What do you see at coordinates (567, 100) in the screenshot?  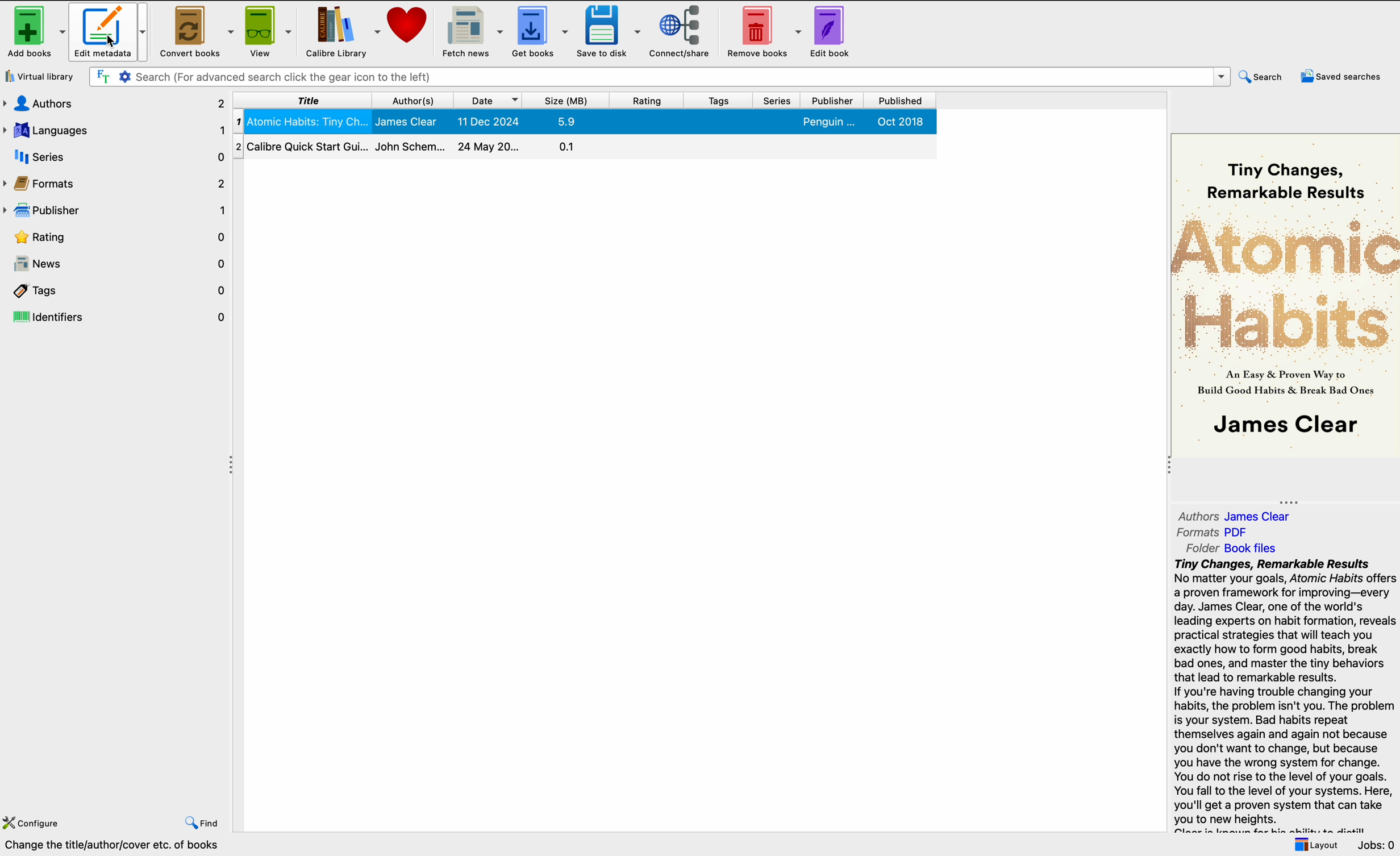 I see `size` at bounding box center [567, 100].